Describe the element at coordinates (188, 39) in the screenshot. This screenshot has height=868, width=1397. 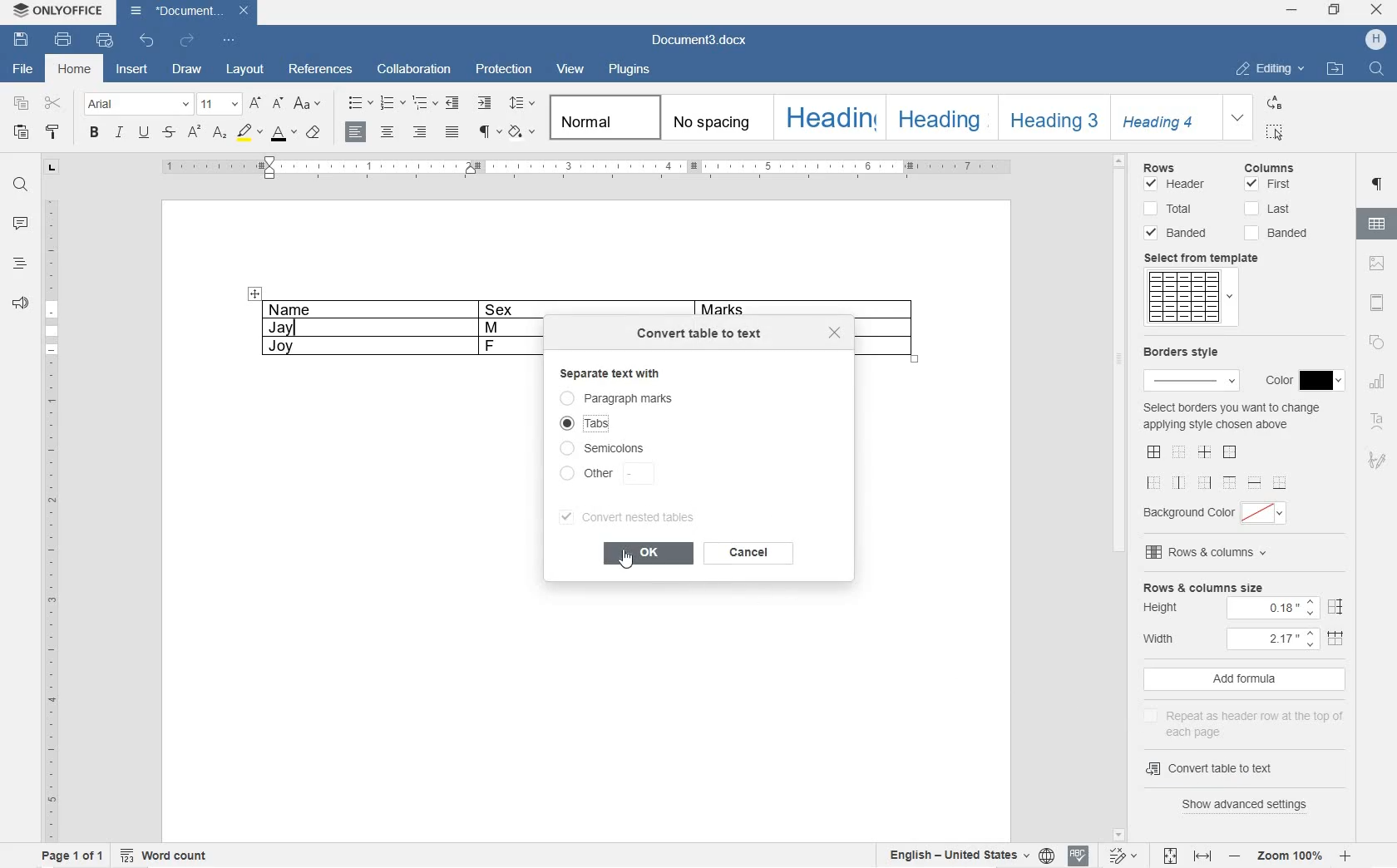
I see `REDO` at that location.